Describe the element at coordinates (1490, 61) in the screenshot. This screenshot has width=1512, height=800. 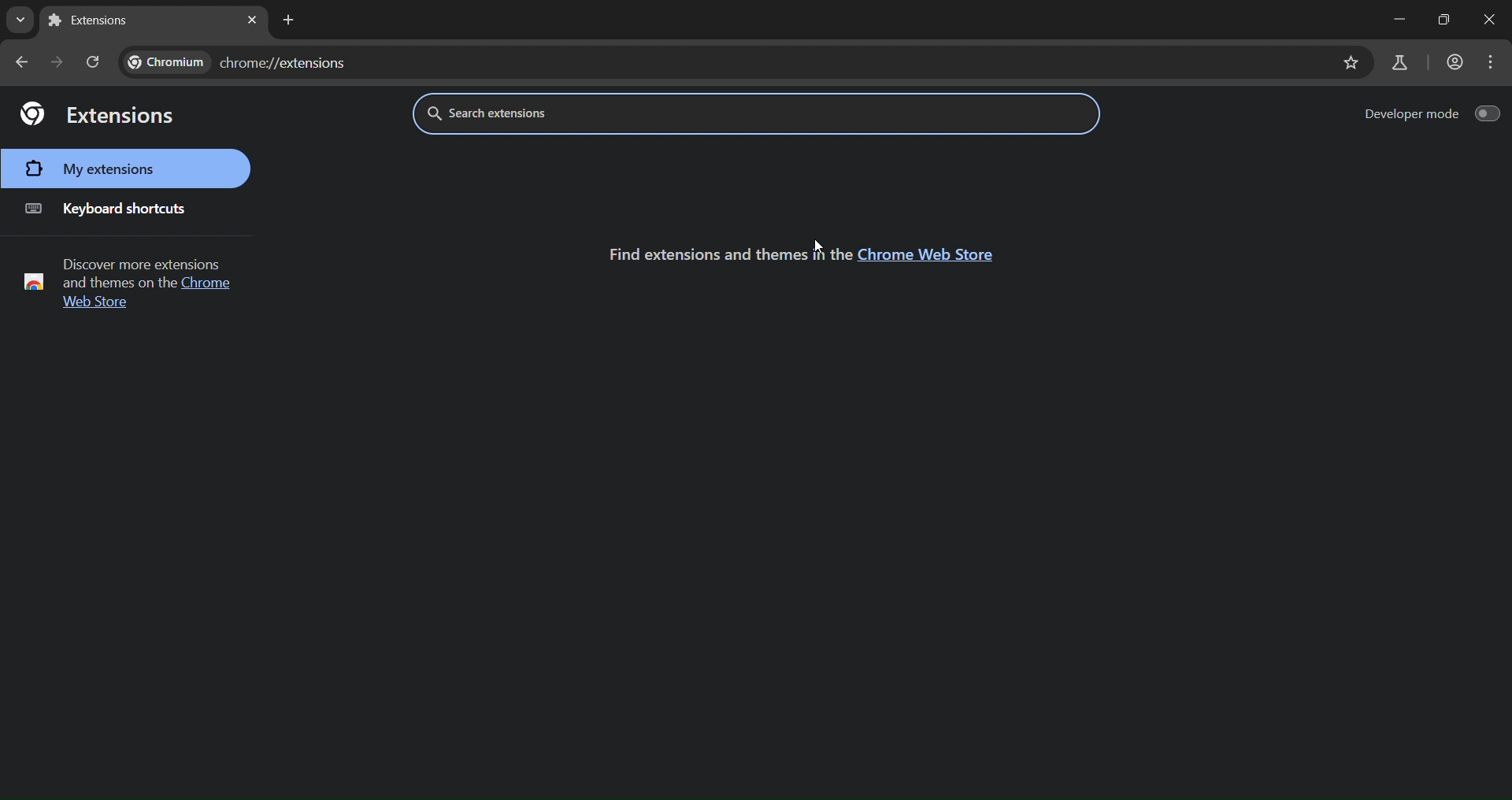
I see `menu` at that location.